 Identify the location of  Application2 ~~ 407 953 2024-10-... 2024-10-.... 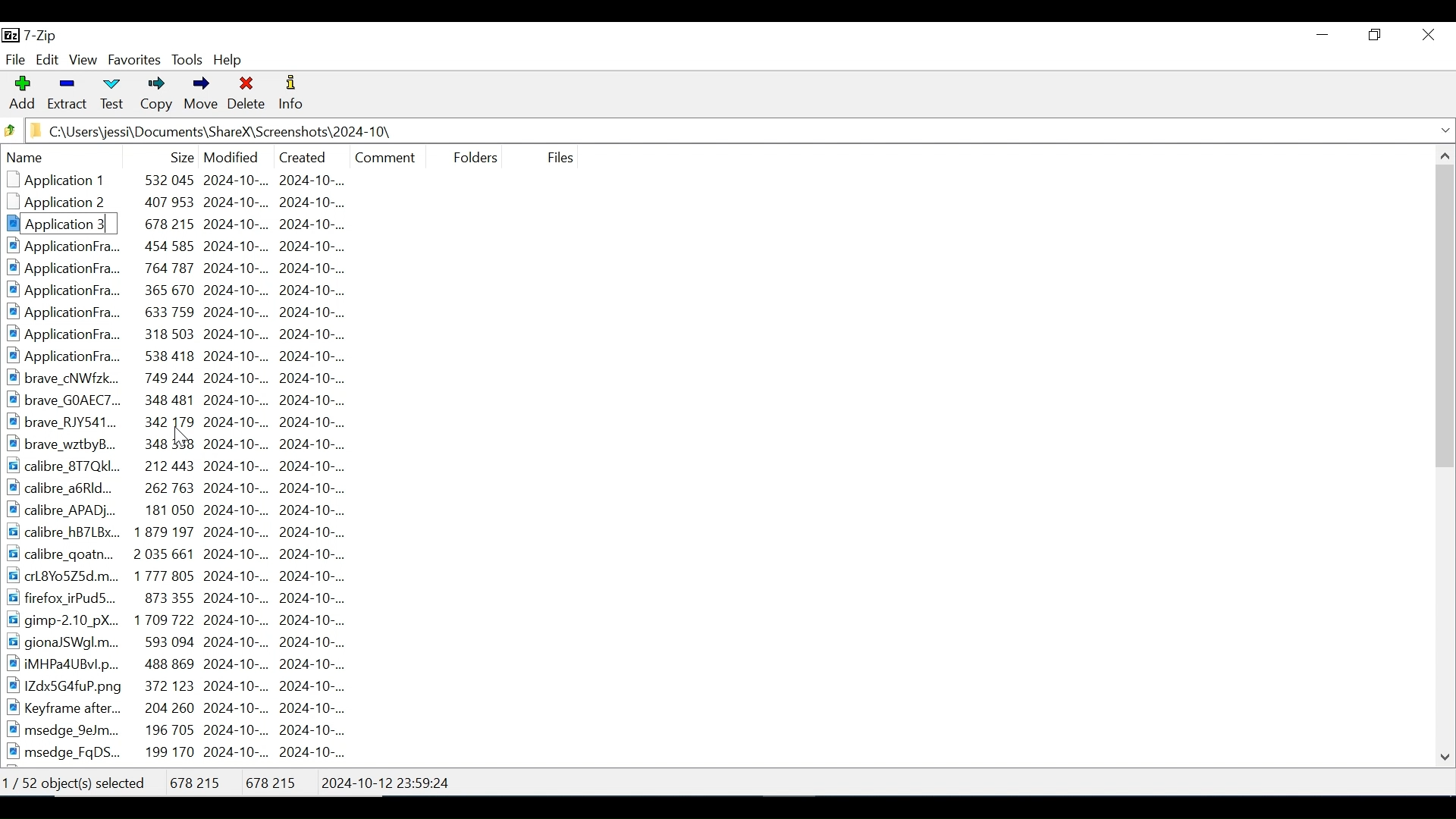
(189, 204).